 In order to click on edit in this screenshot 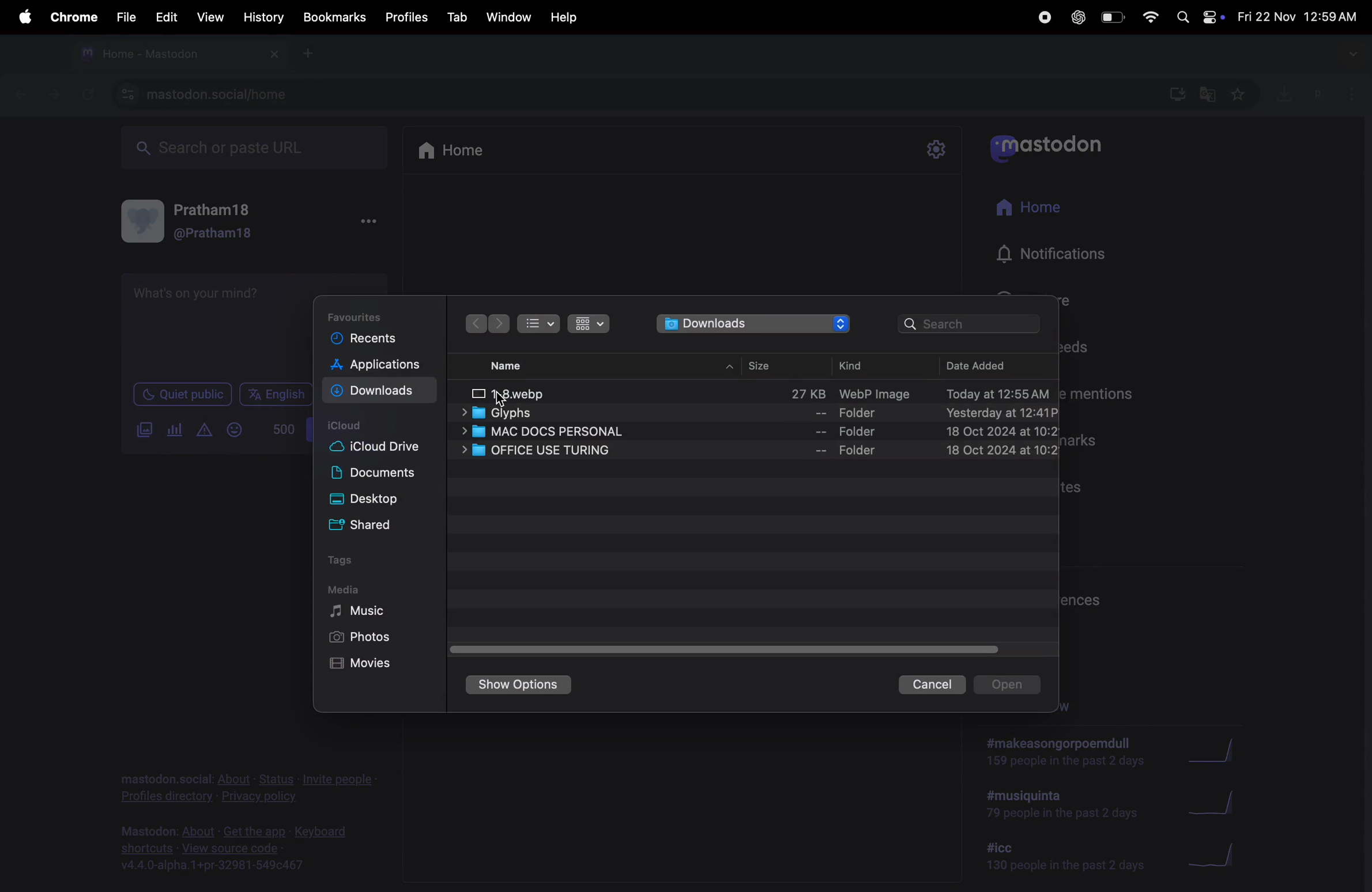, I will do `click(166, 17)`.